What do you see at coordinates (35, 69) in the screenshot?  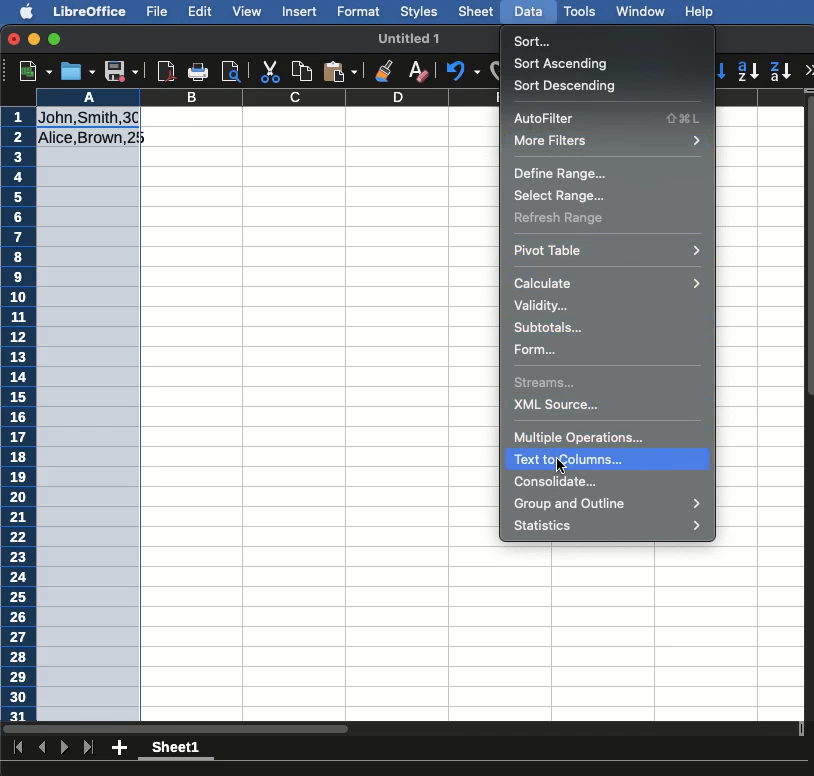 I see `New` at bounding box center [35, 69].